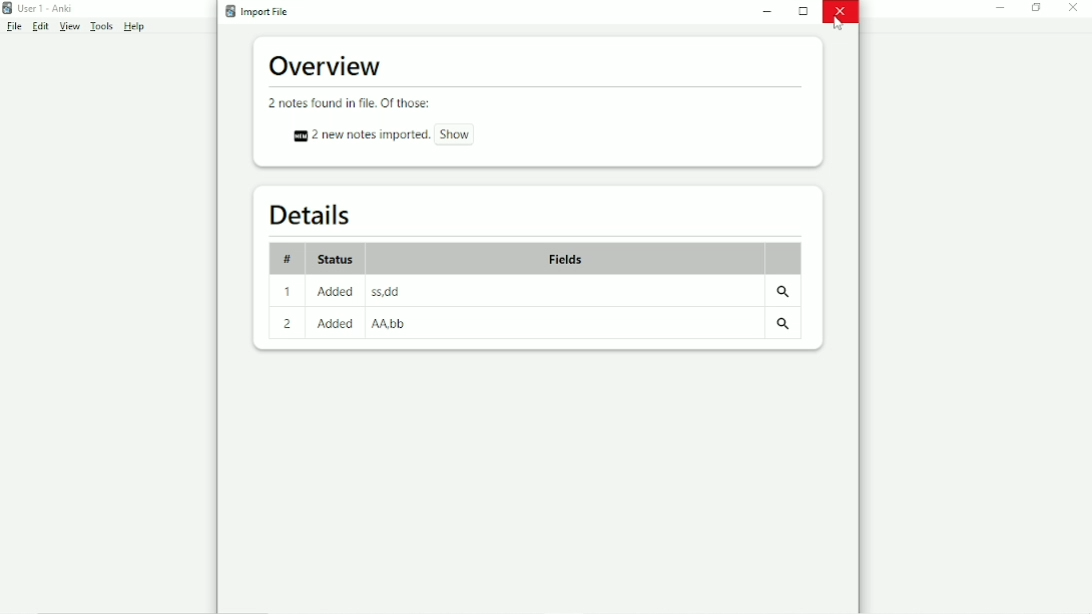 The image size is (1092, 614). What do you see at coordinates (456, 134) in the screenshot?
I see `Show` at bounding box center [456, 134].